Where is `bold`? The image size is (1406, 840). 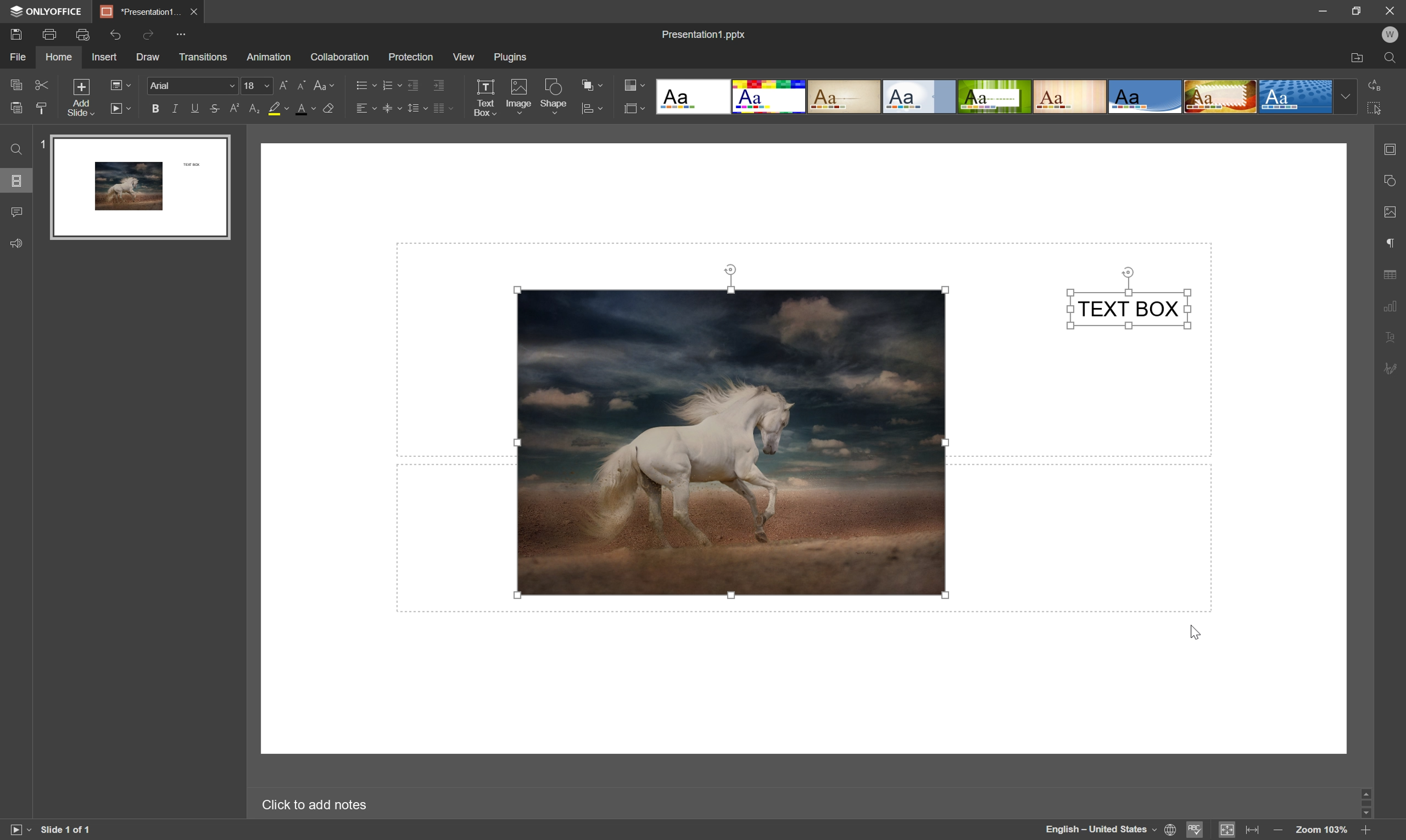 bold is located at coordinates (156, 110).